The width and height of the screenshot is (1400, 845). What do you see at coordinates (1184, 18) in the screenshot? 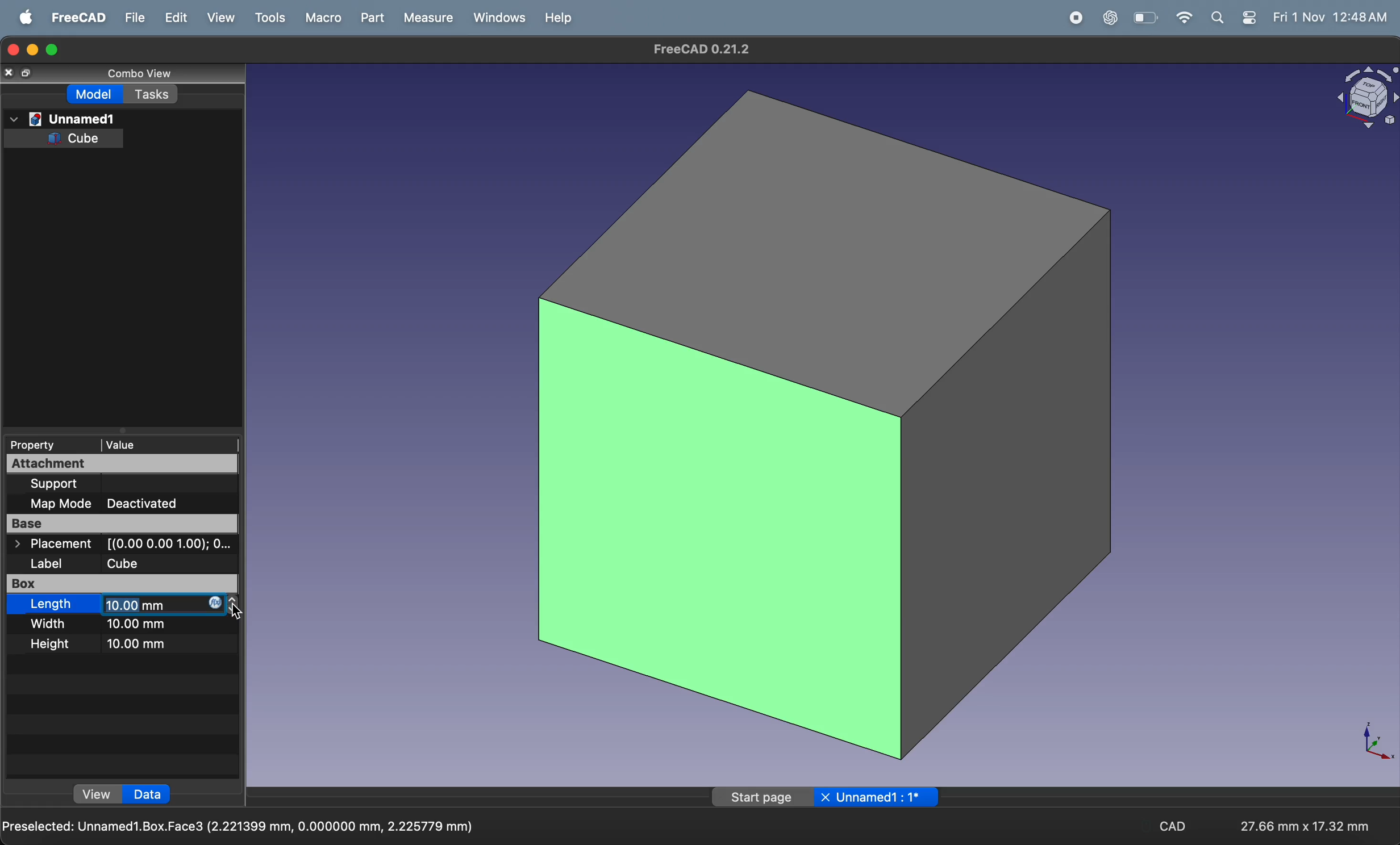
I see `wifi` at bounding box center [1184, 18].